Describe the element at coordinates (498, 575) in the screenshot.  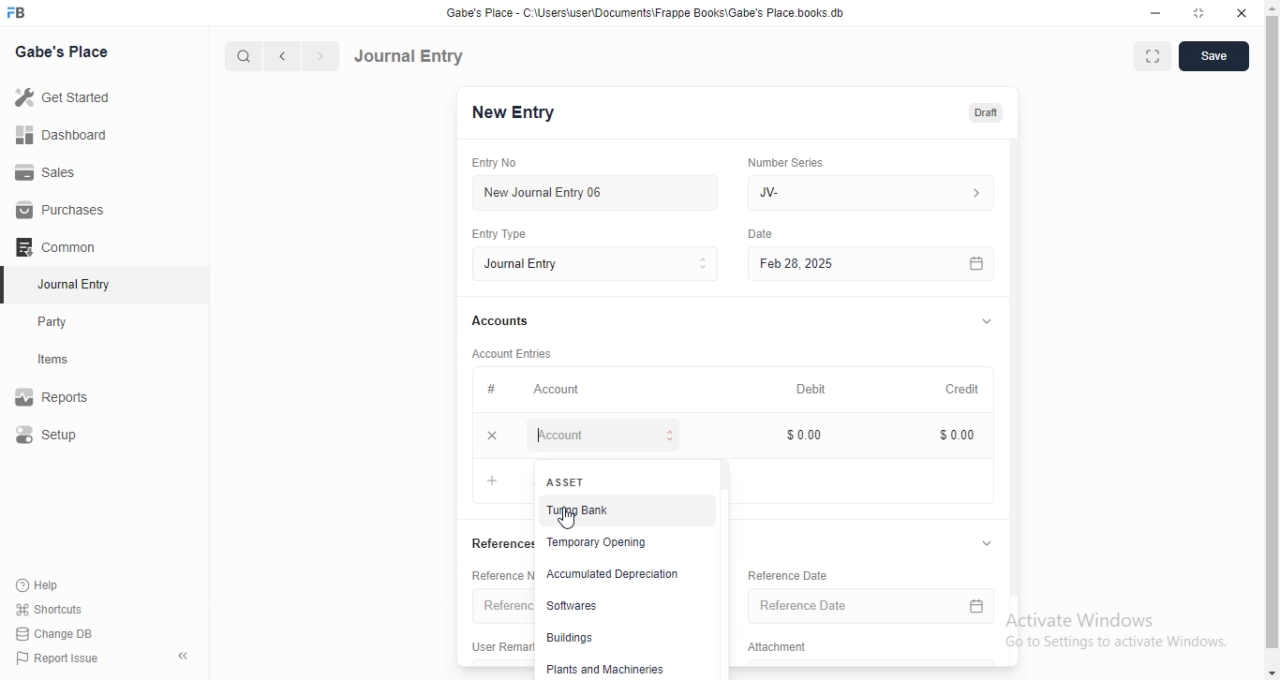
I see `Reference Number` at that location.